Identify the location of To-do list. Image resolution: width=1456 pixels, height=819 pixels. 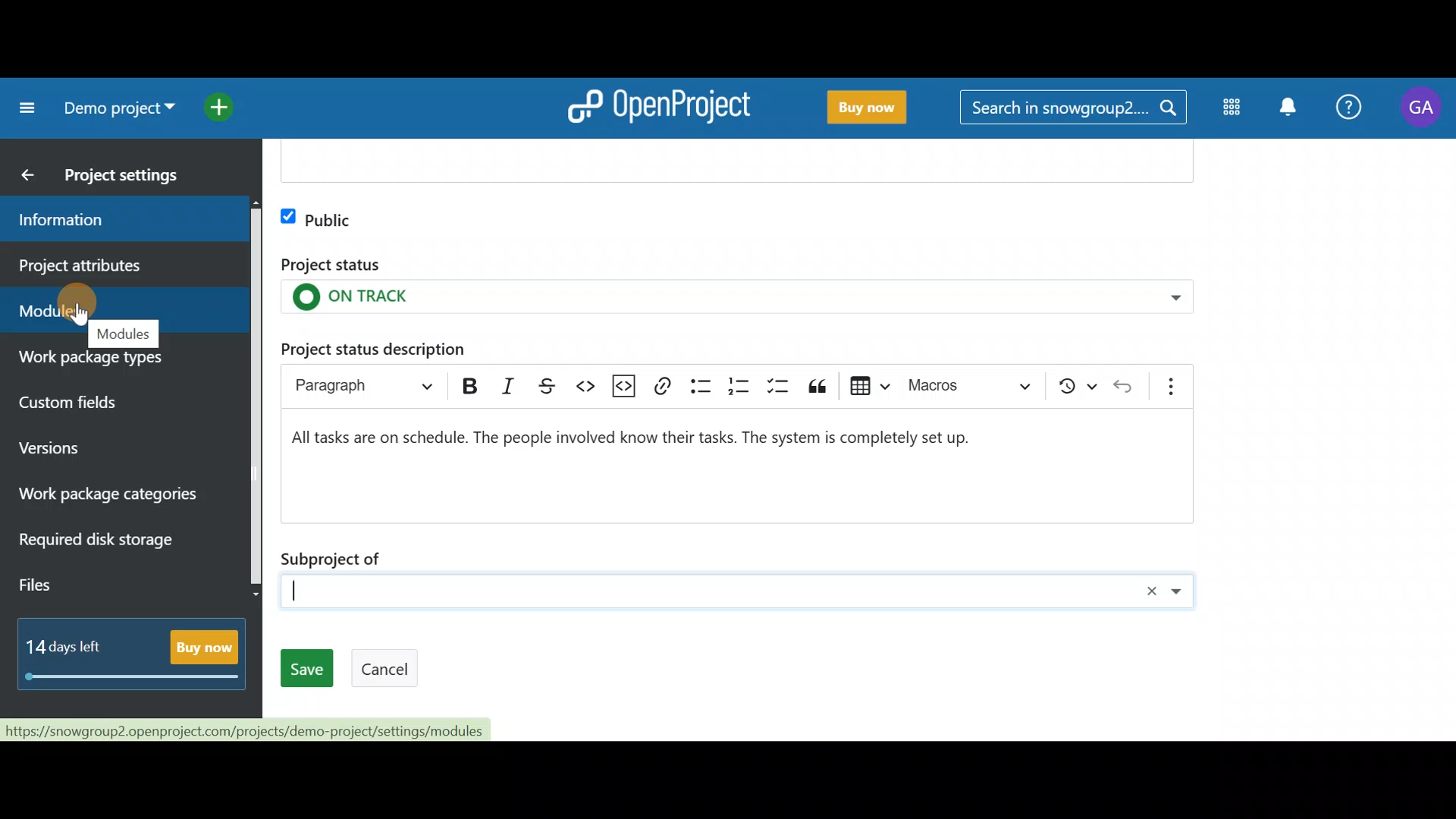
(777, 388).